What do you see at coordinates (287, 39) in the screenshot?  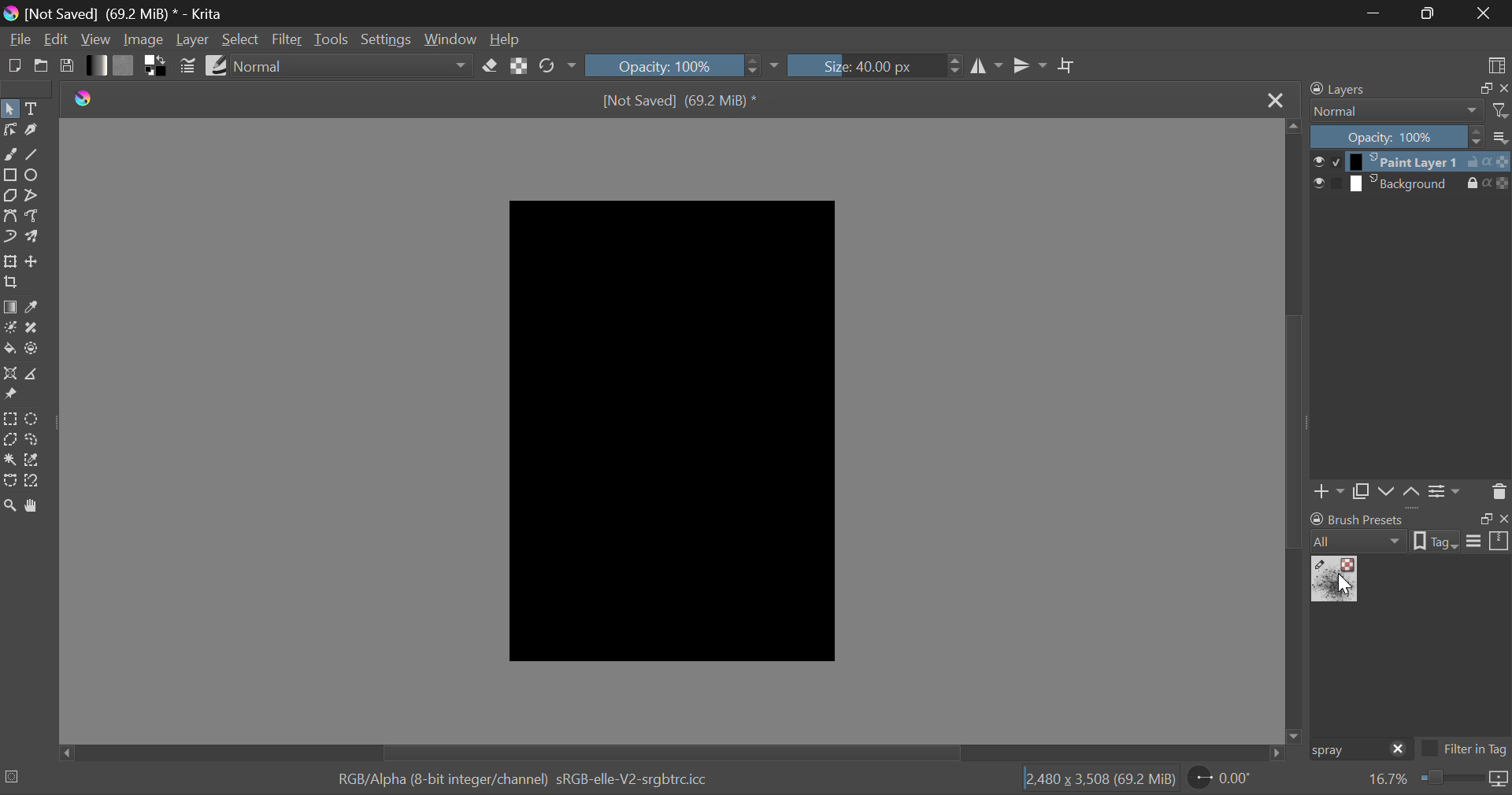 I see `Filter` at bounding box center [287, 39].